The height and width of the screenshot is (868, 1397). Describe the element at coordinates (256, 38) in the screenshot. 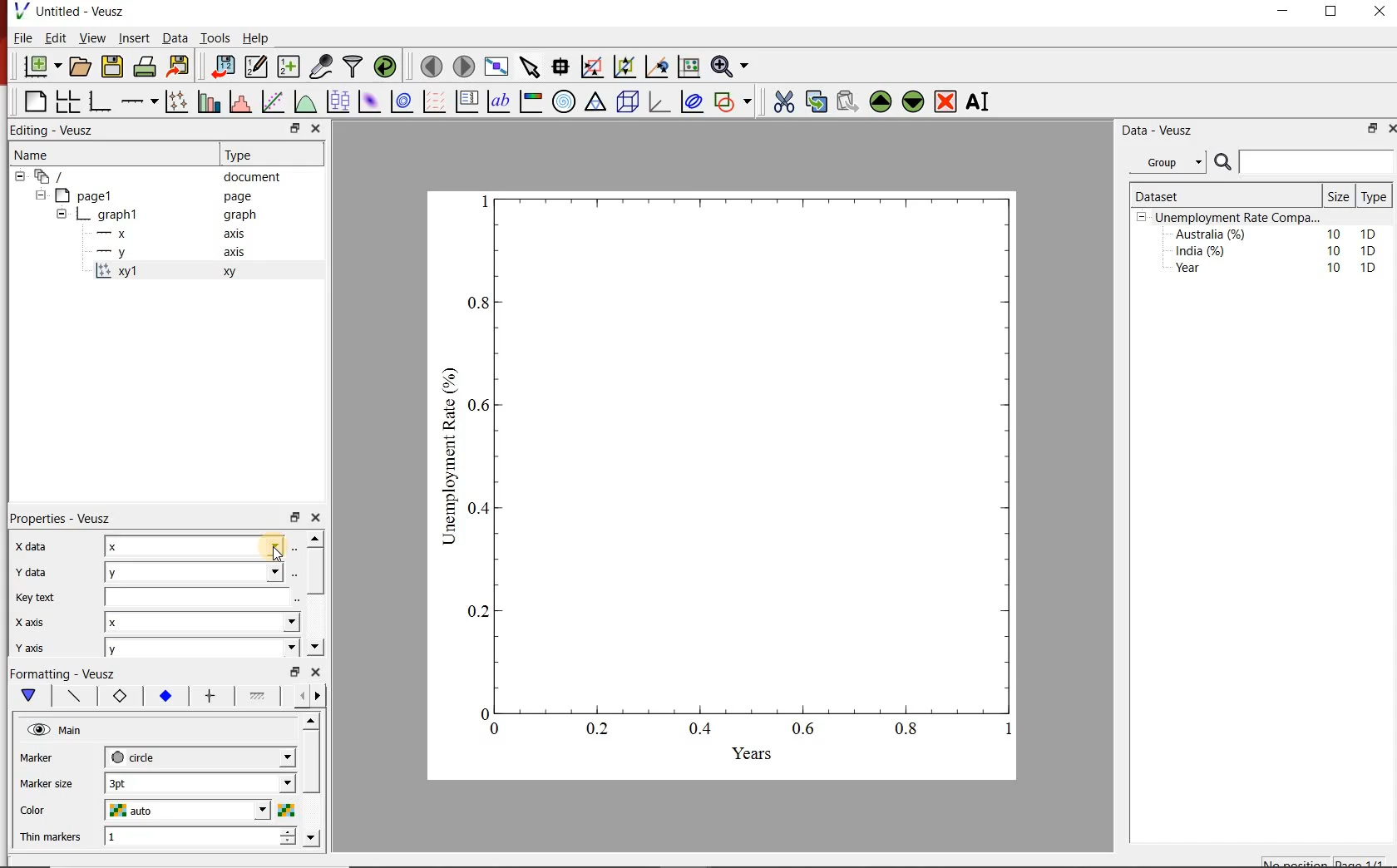

I see `Help` at that location.